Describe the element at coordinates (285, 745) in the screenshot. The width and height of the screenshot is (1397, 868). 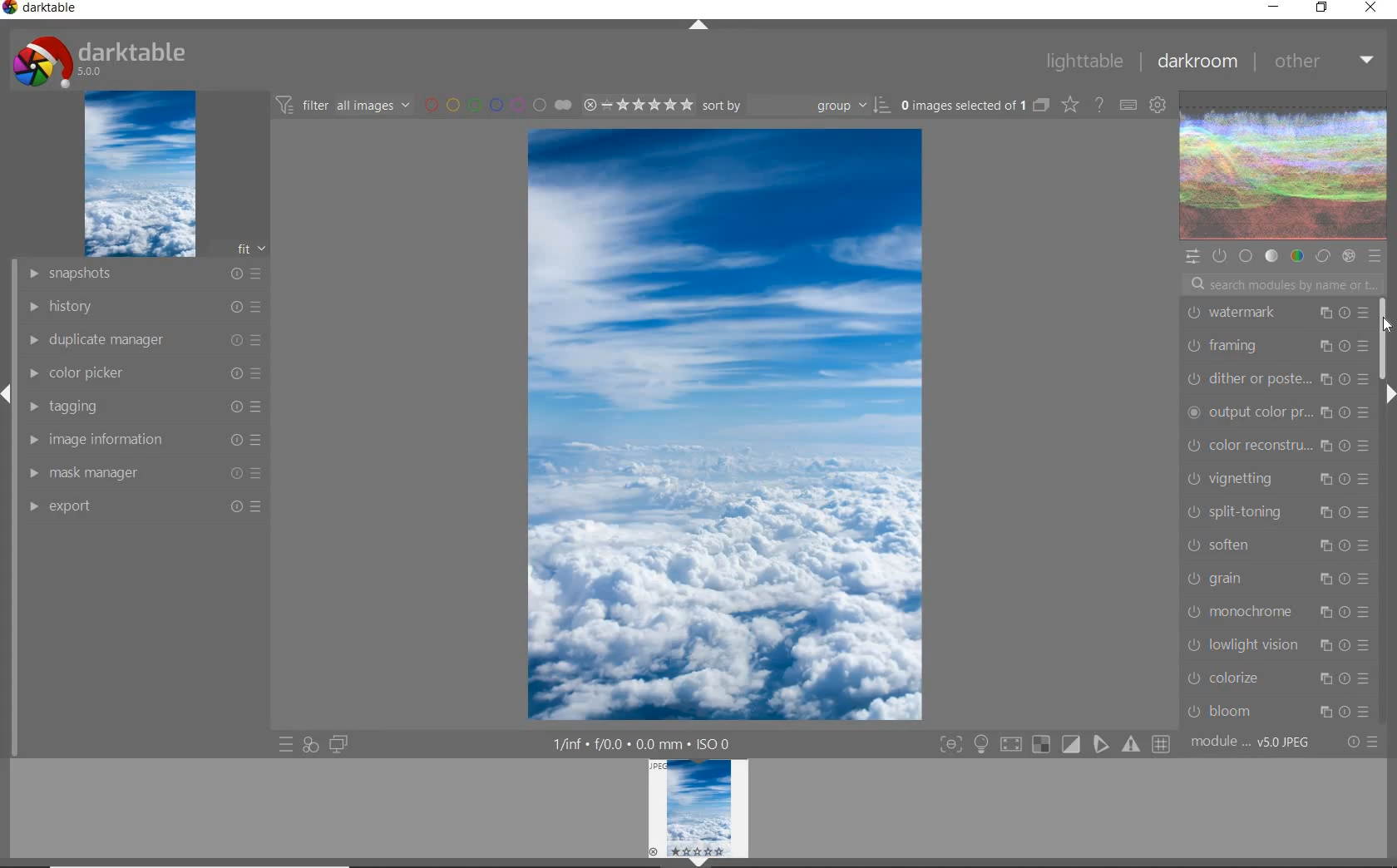
I see `QUICK ACCESS TO PRESET` at that location.